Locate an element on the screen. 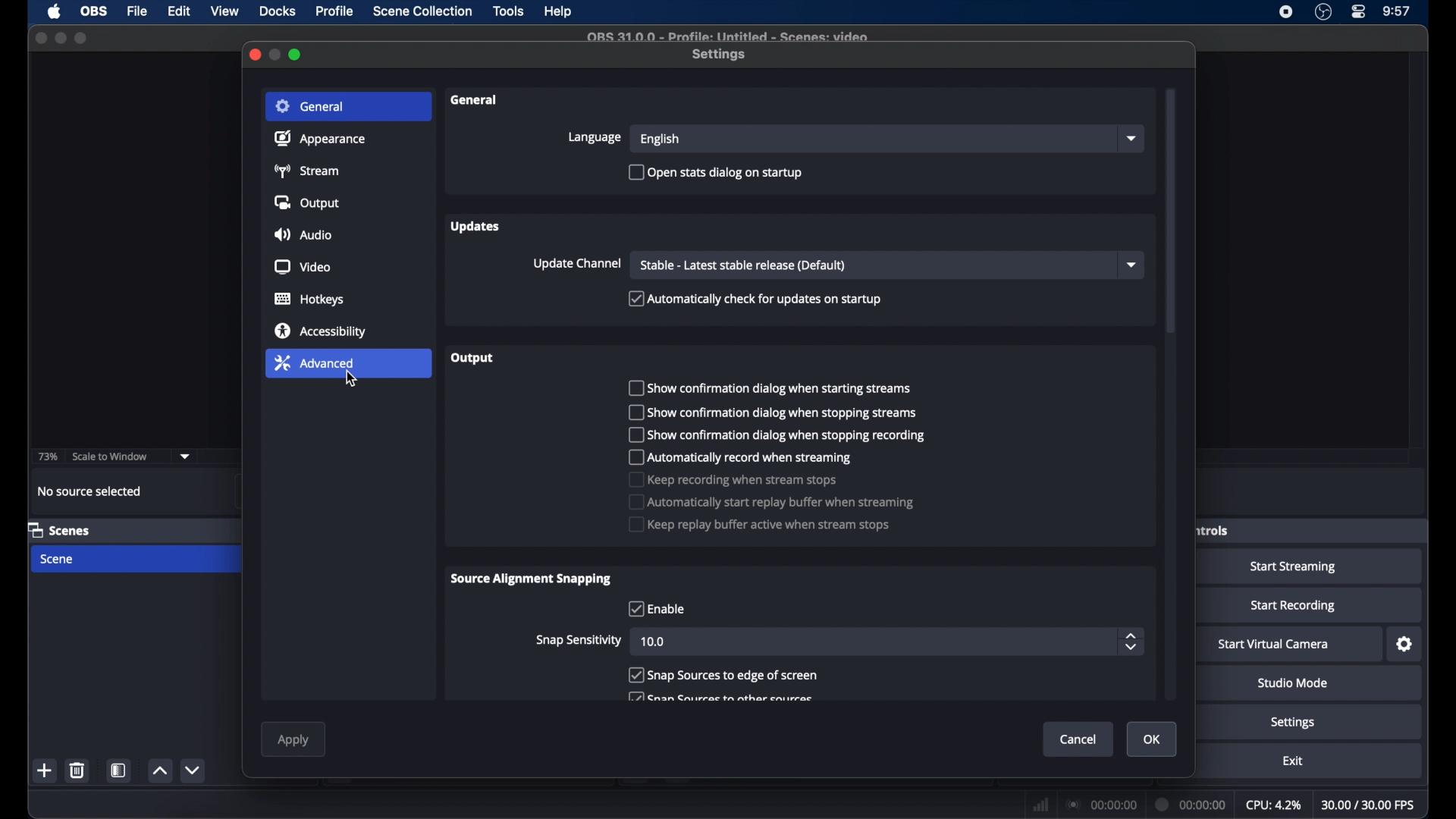 This screenshot has height=819, width=1456. obs studio is located at coordinates (1323, 12).